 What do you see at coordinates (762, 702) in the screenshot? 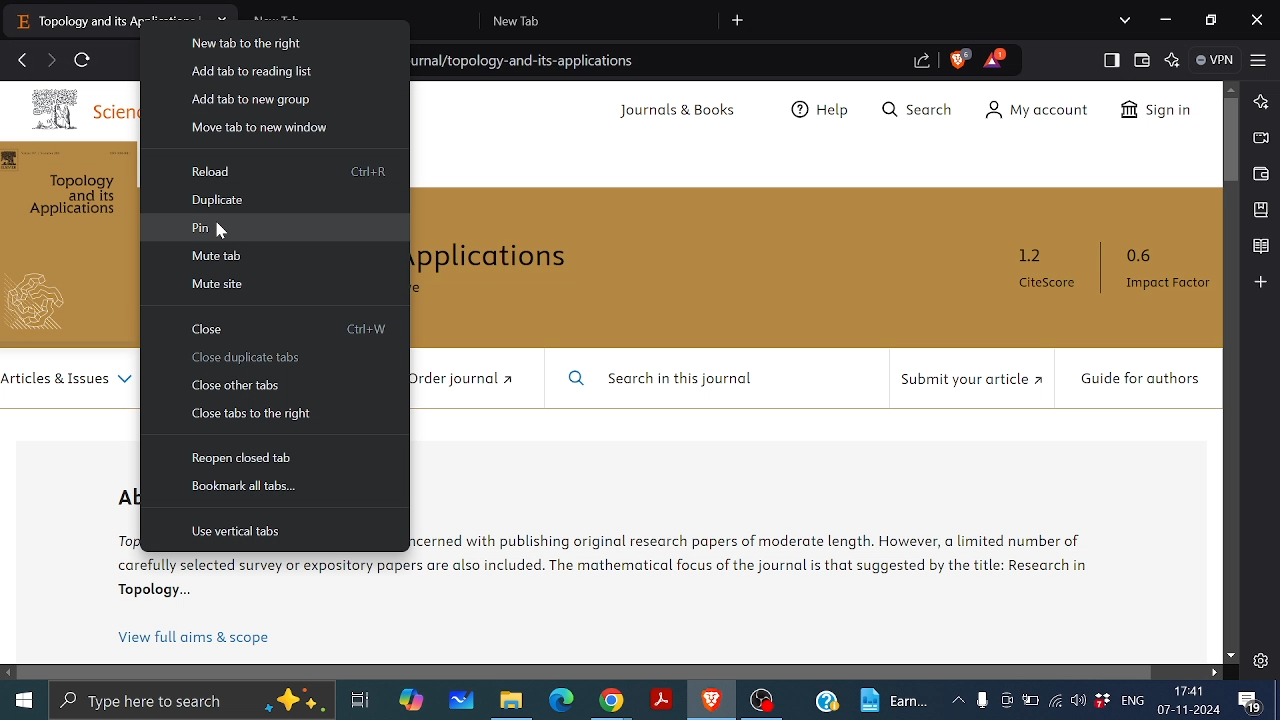
I see `OBS studio` at bounding box center [762, 702].